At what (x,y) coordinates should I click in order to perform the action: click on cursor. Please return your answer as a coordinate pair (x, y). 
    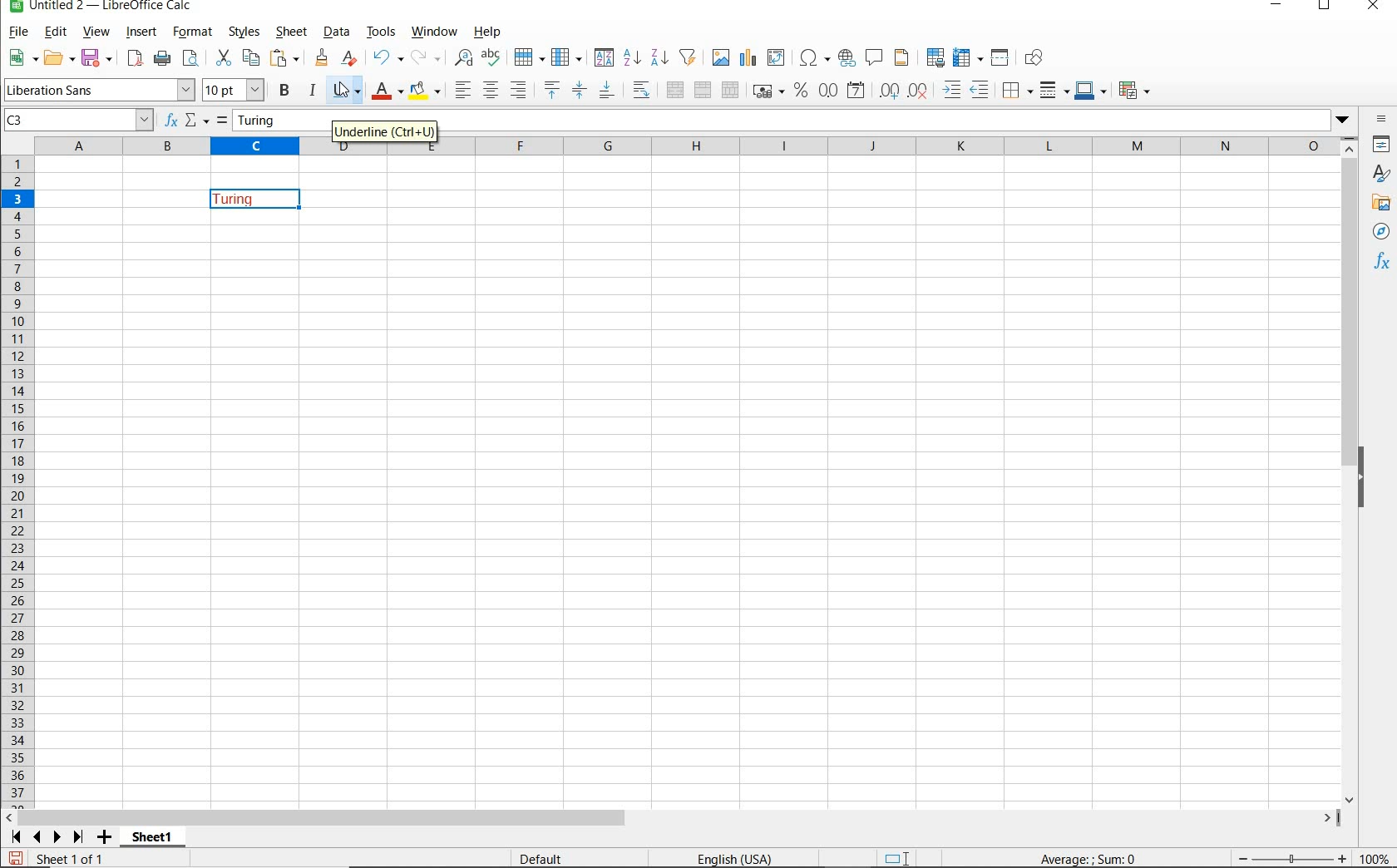
    Looking at the image, I should click on (347, 91).